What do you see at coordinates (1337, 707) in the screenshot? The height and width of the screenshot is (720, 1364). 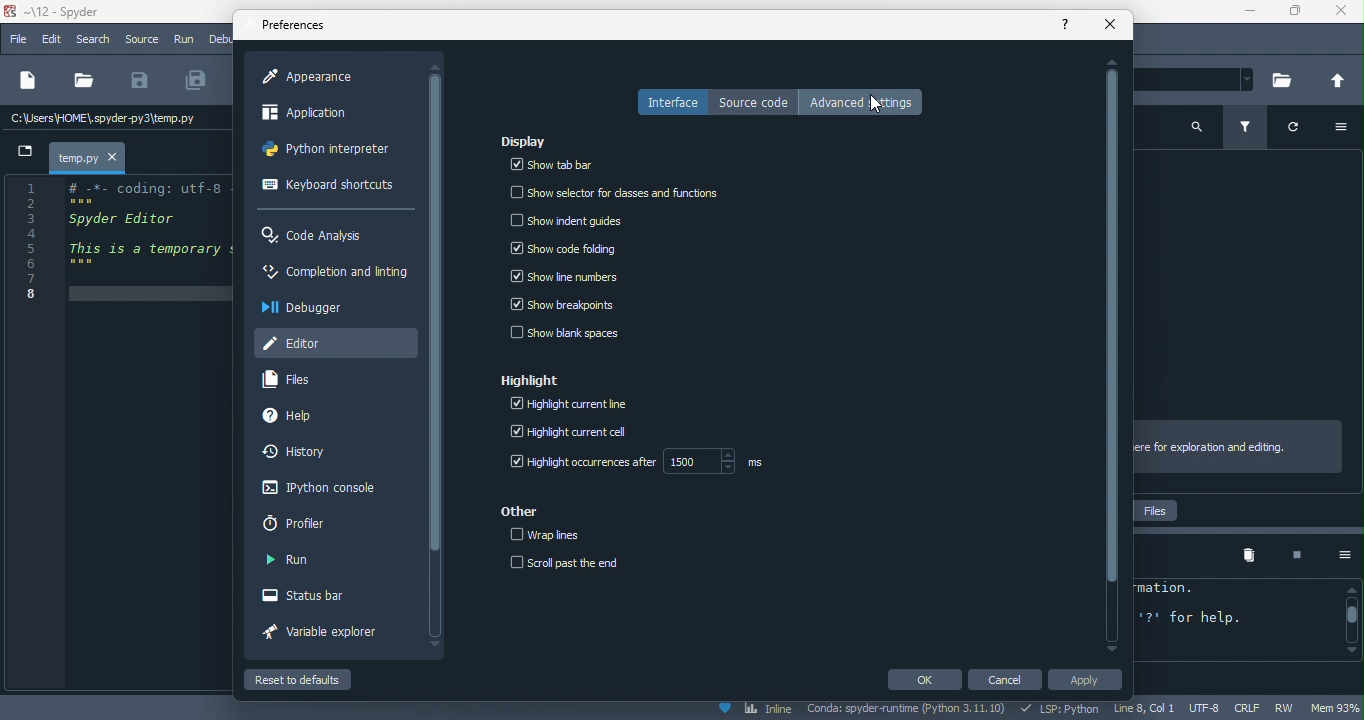 I see `mem 92%` at bounding box center [1337, 707].